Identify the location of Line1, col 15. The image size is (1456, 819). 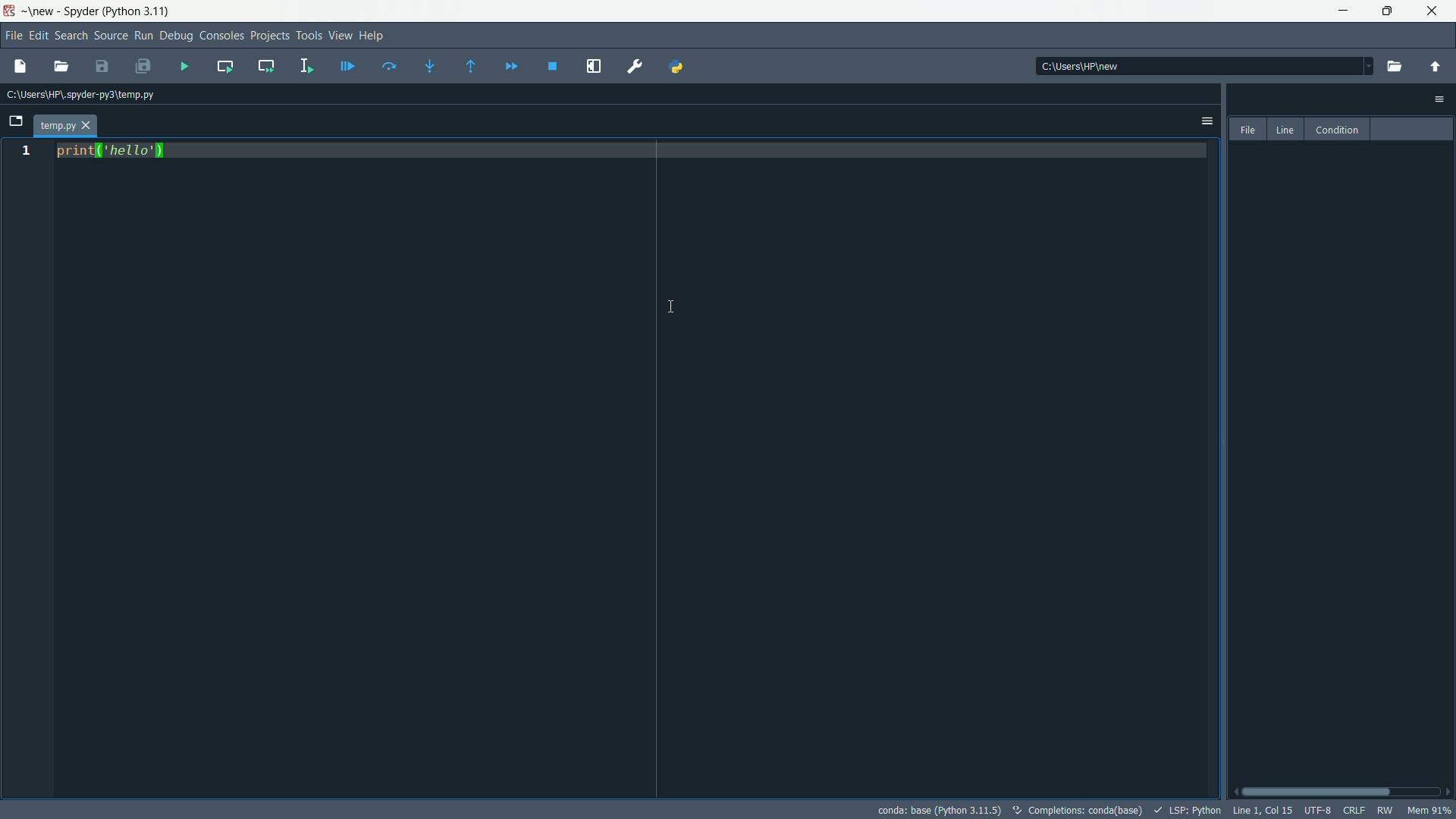
(1263, 810).